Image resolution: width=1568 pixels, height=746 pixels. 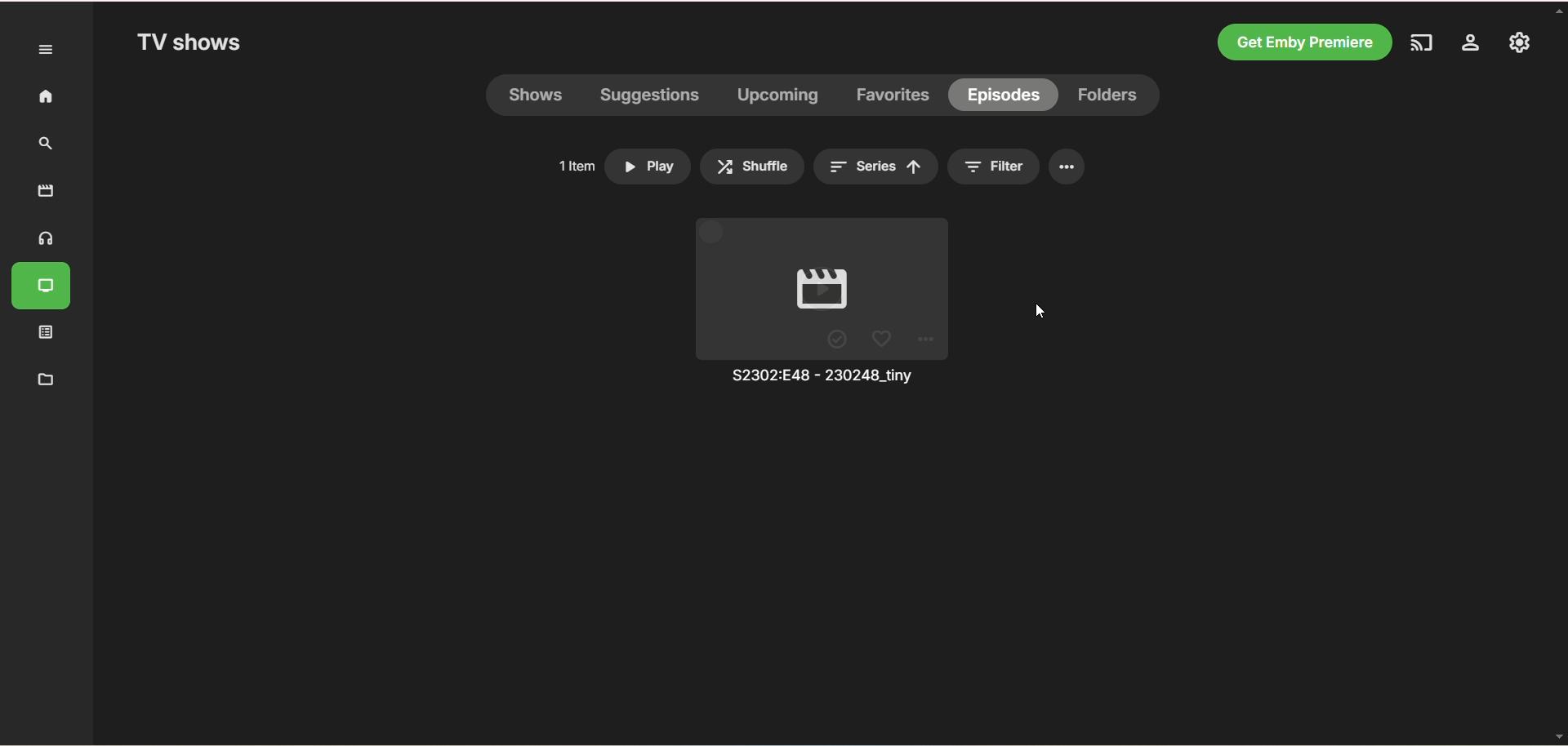 I want to click on playlist, so click(x=47, y=335).